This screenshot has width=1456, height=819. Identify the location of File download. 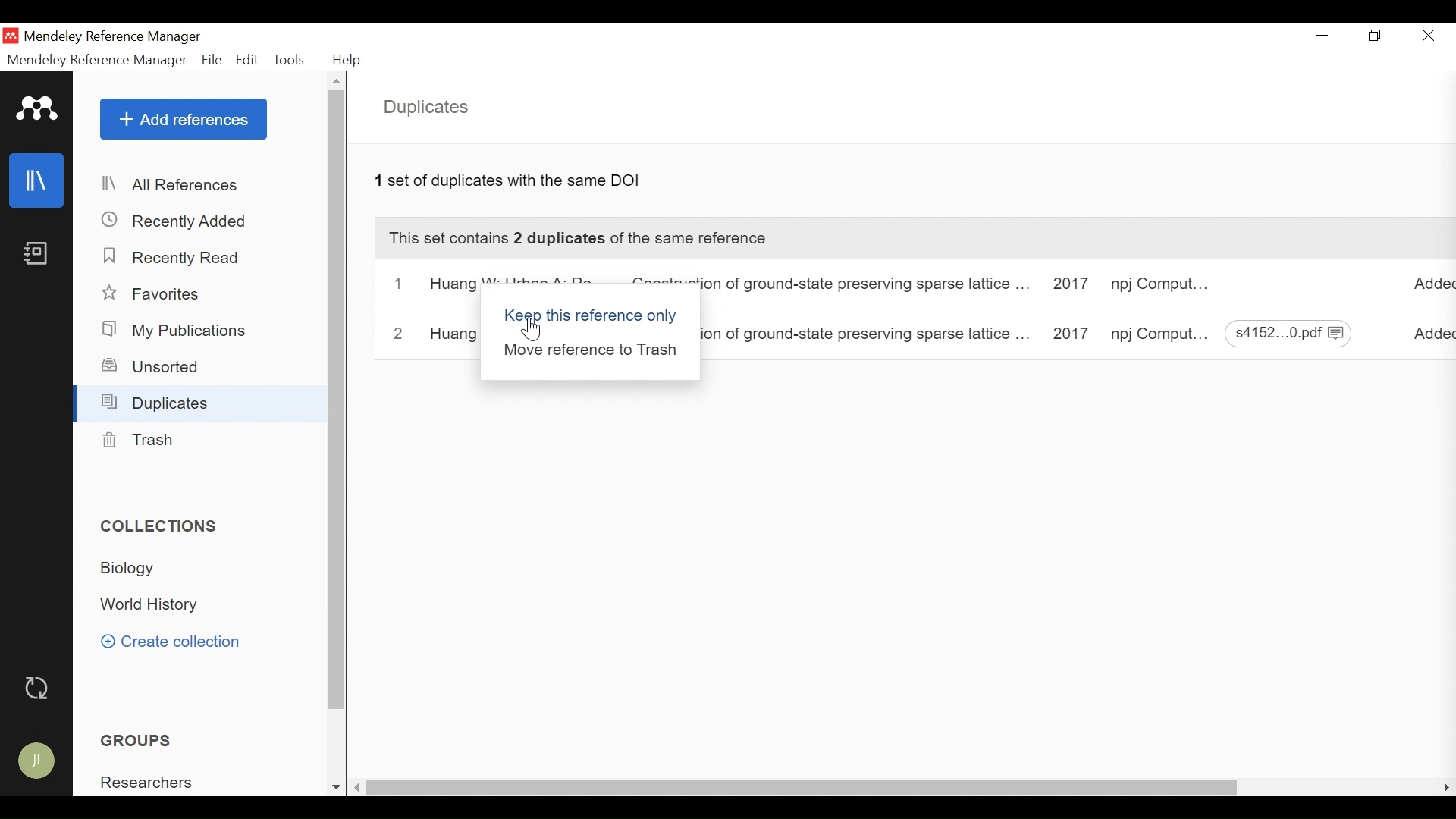
(1288, 334).